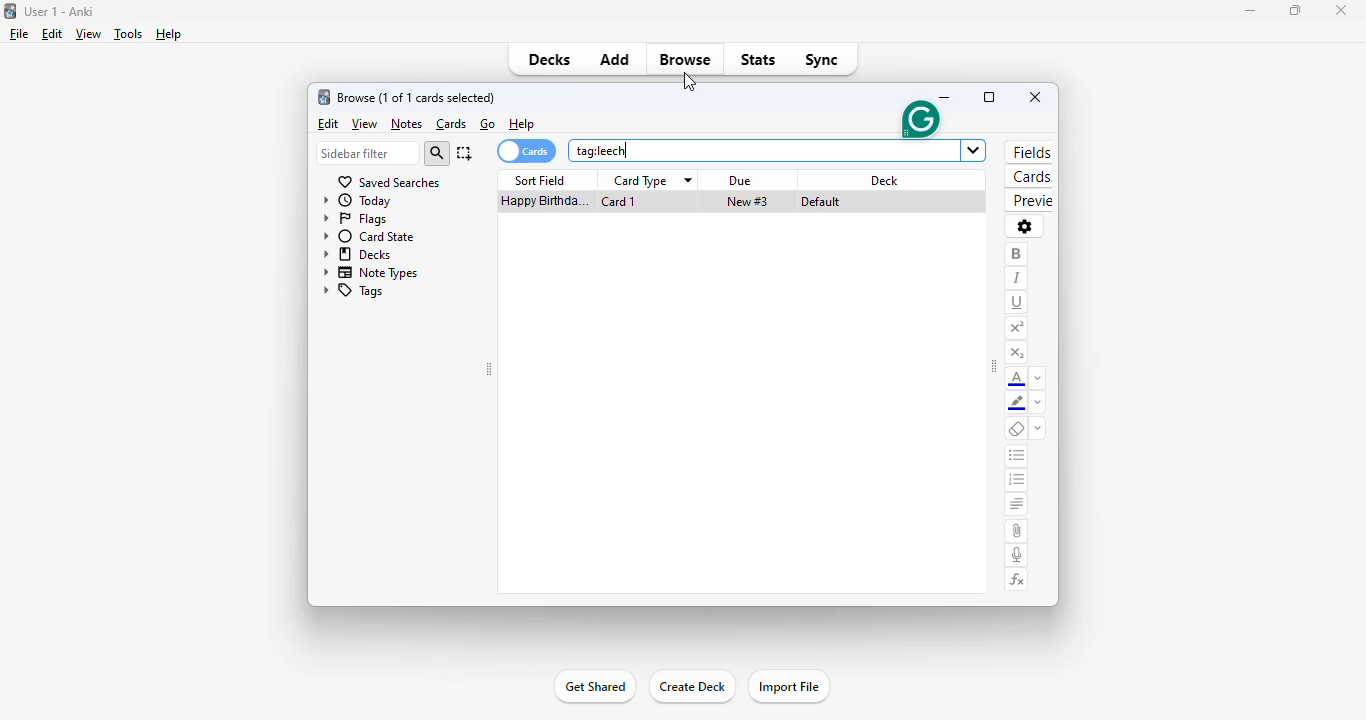 The width and height of the screenshot is (1366, 720). I want to click on add, so click(615, 58).